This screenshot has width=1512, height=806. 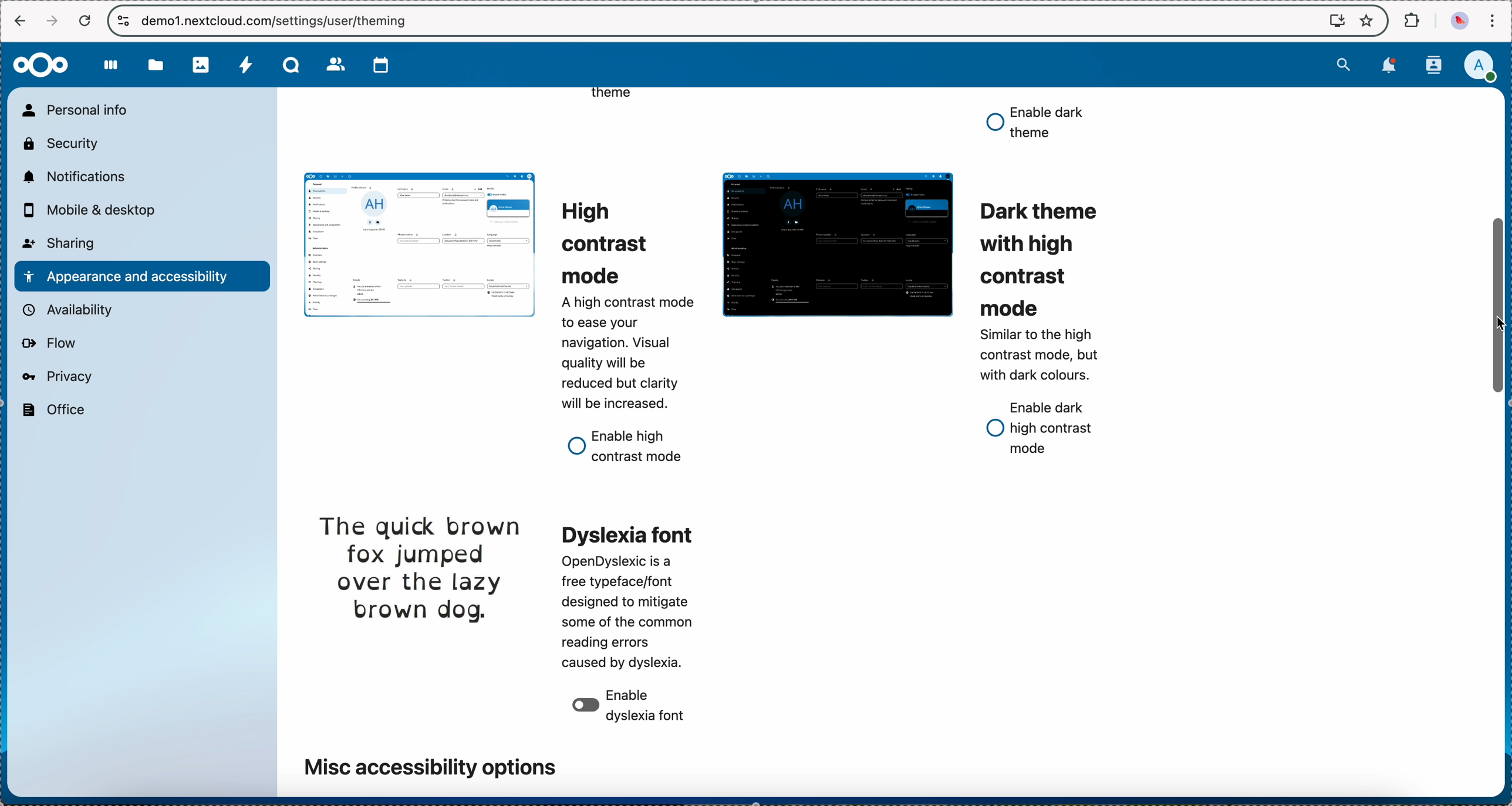 What do you see at coordinates (70, 309) in the screenshot?
I see `availability` at bounding box center [70, 309].